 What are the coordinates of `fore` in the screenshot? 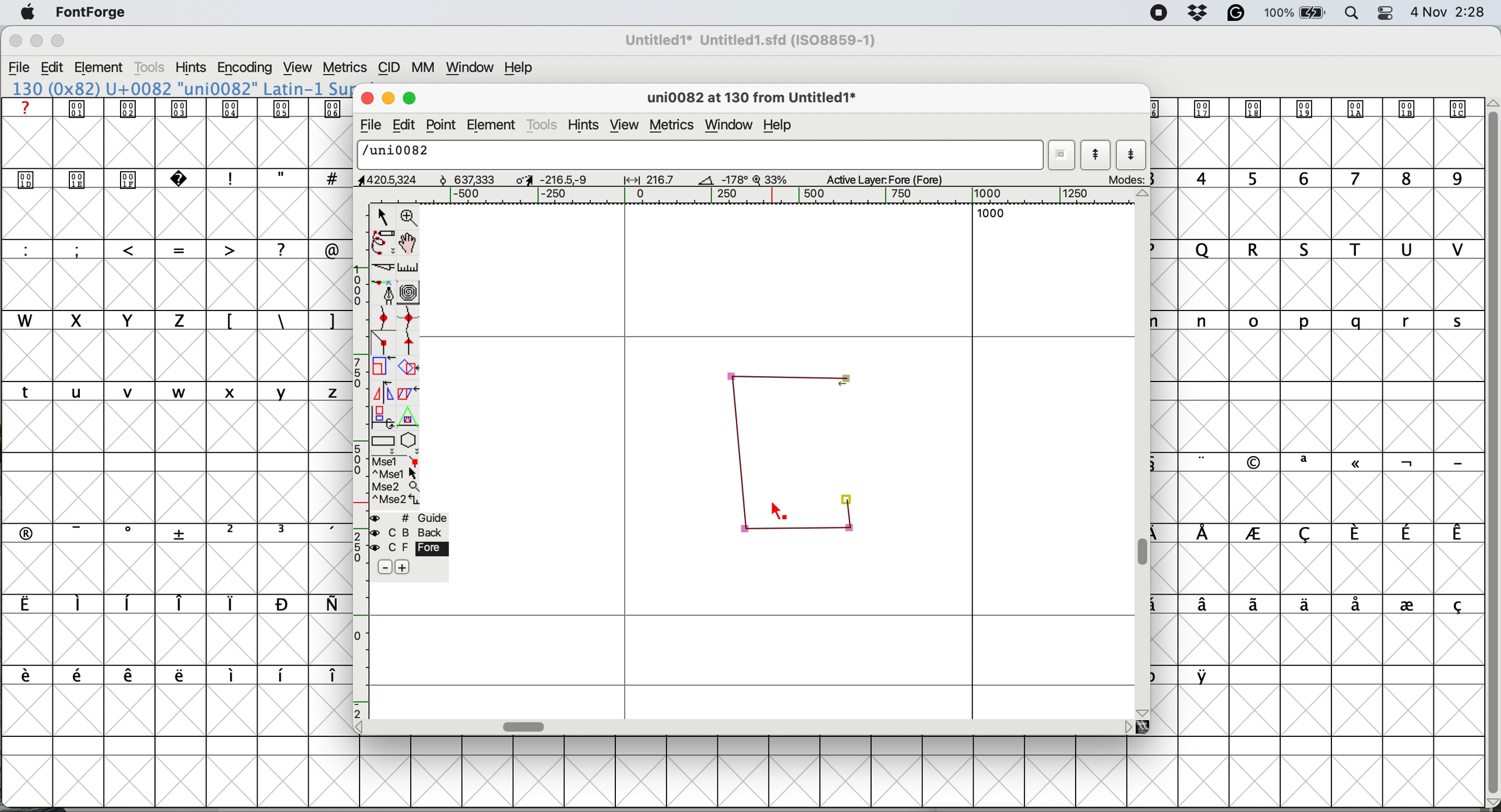 It's located at (409, 548).